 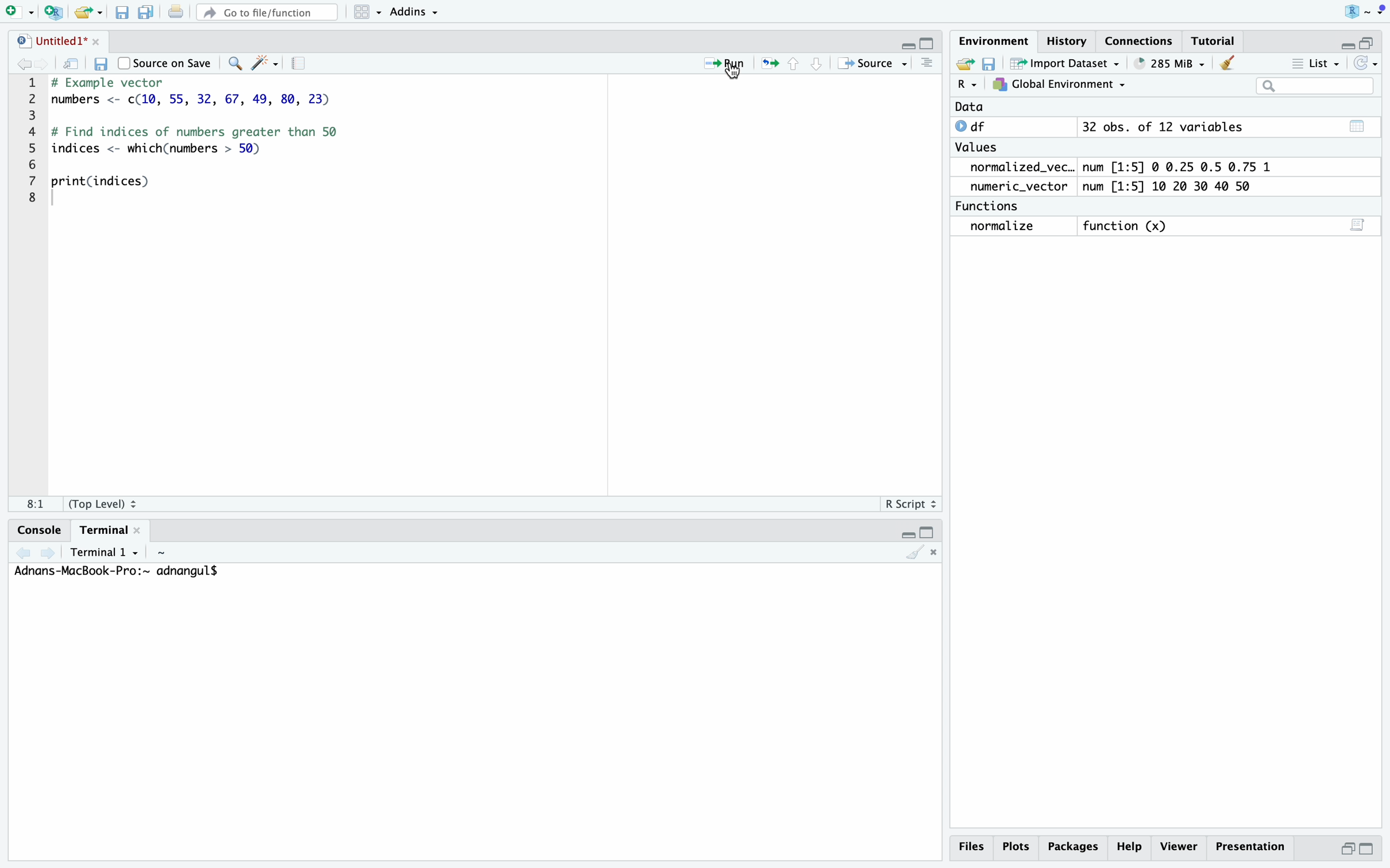 I want to click on Values, so click(x=980, y=149).